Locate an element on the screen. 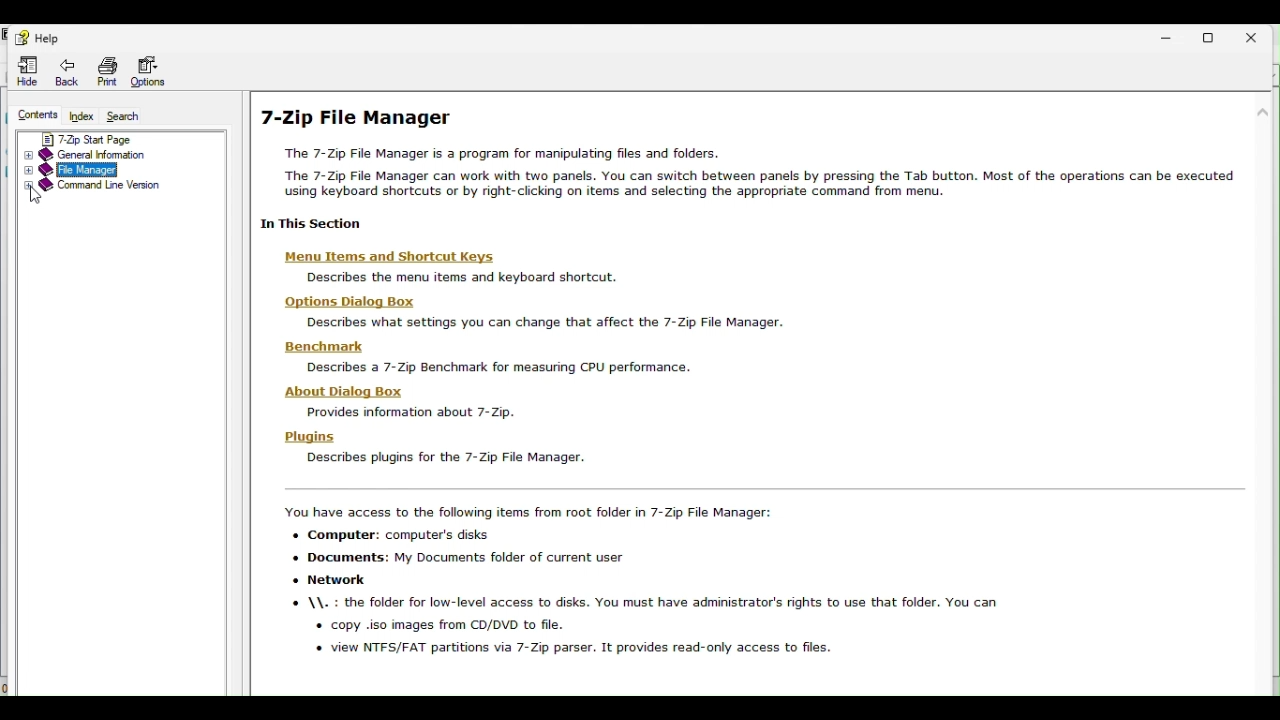 This screenshot has height=720, width=1280. 7 zip file manager help page is located at coordinates (752, 168).